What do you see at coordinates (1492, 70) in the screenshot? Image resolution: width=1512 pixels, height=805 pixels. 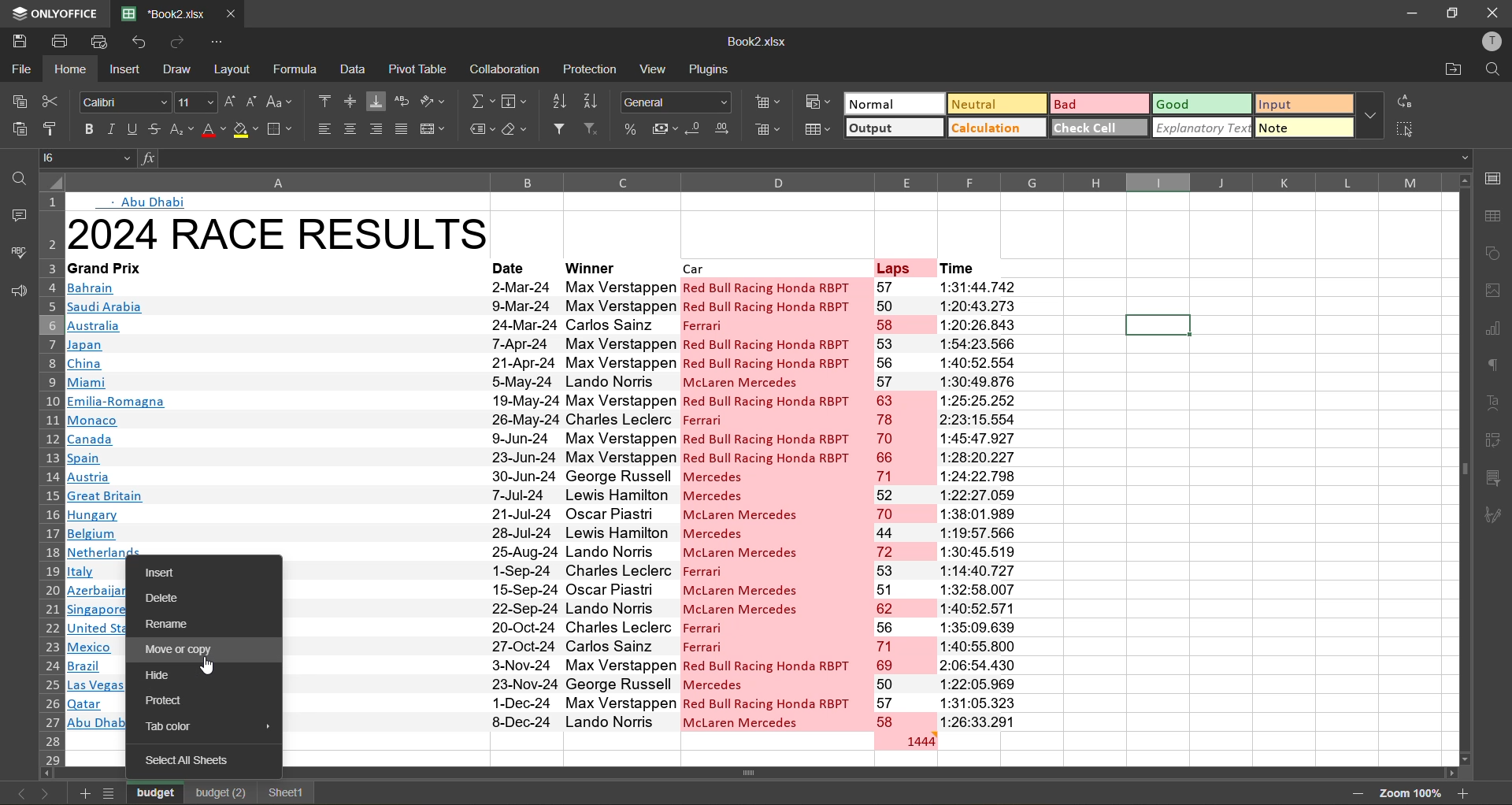 I see `find` at bounding box center [1492, 70].